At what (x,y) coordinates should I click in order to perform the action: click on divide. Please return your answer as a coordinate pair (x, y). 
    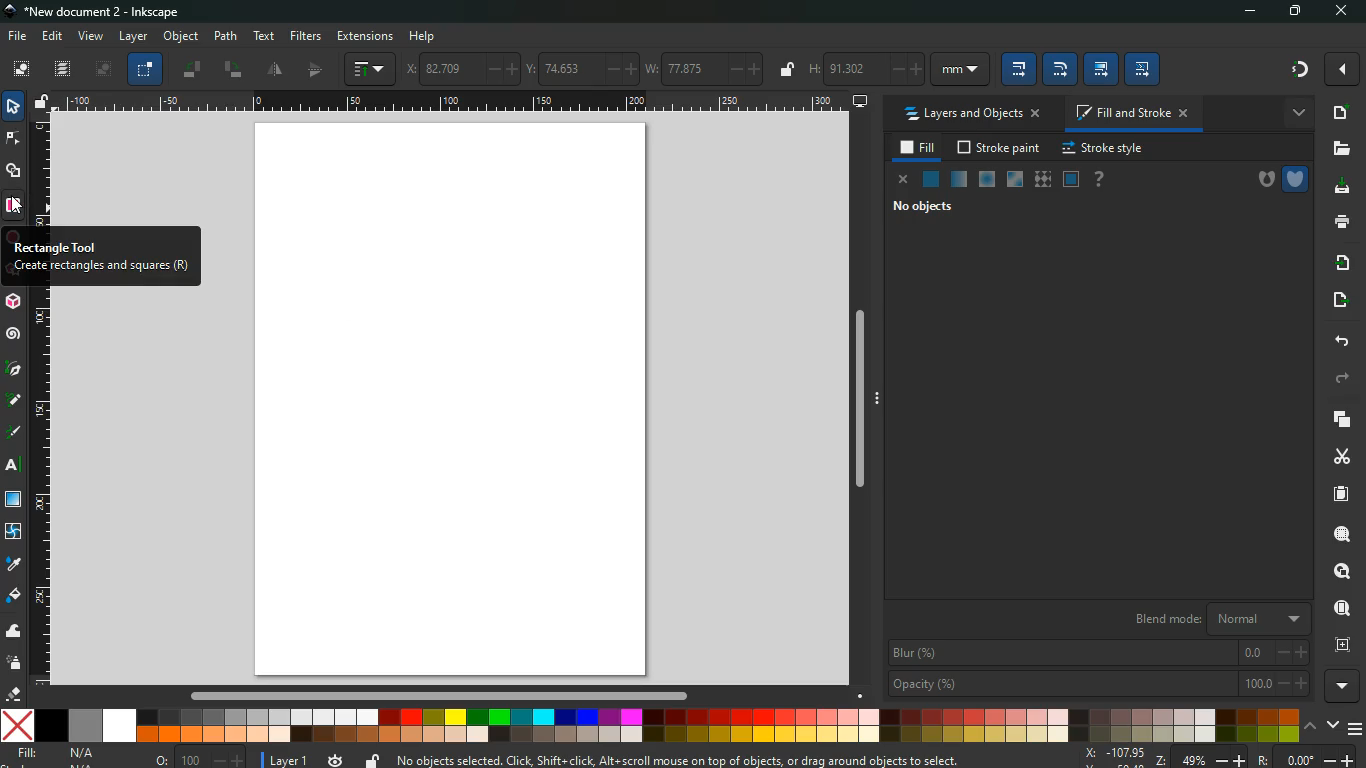
    Looking at the image, I should click on (318, 72).